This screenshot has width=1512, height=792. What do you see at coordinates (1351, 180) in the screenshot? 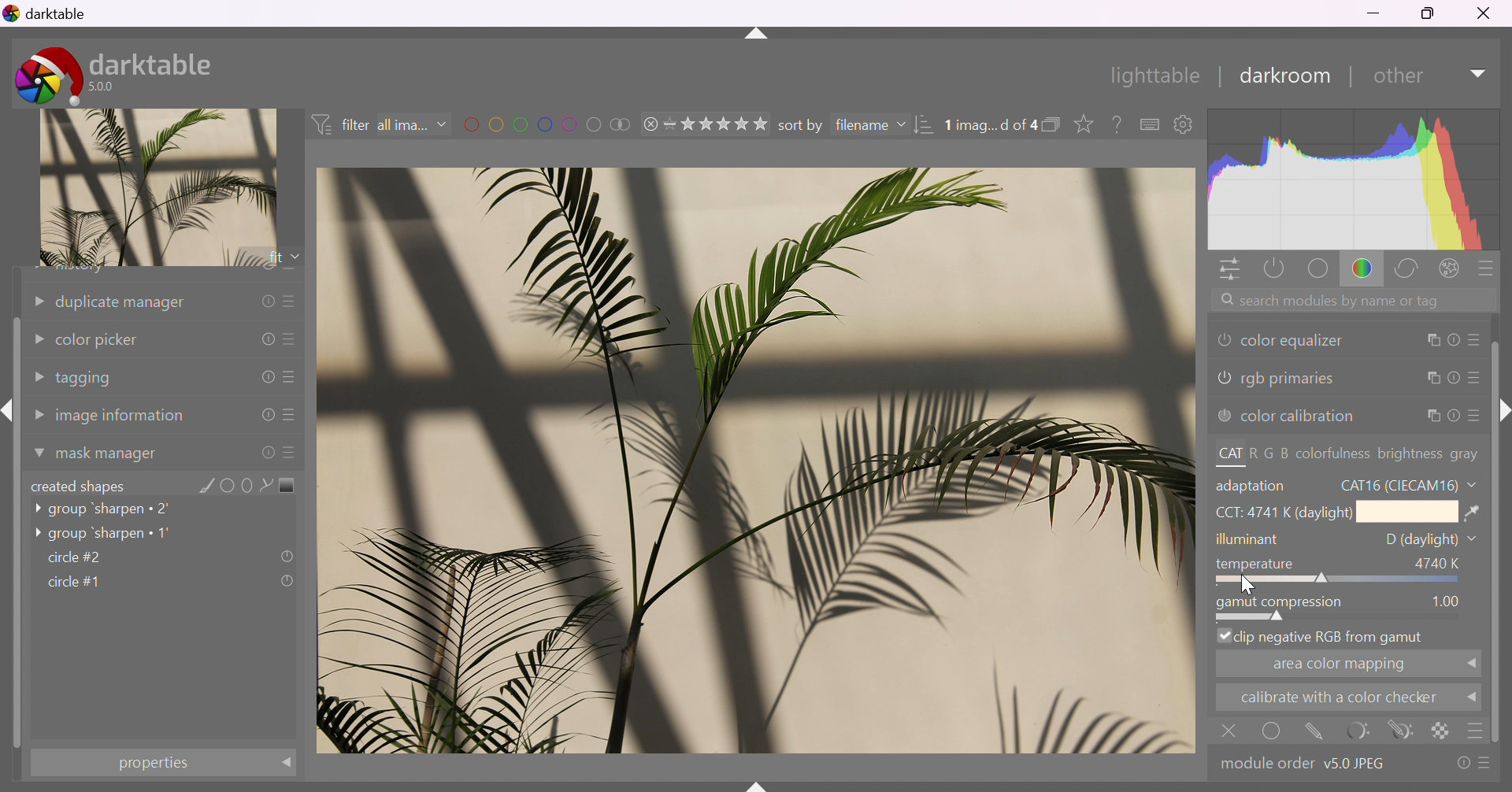
I see `histogram` at bounding box center [1351, 180].